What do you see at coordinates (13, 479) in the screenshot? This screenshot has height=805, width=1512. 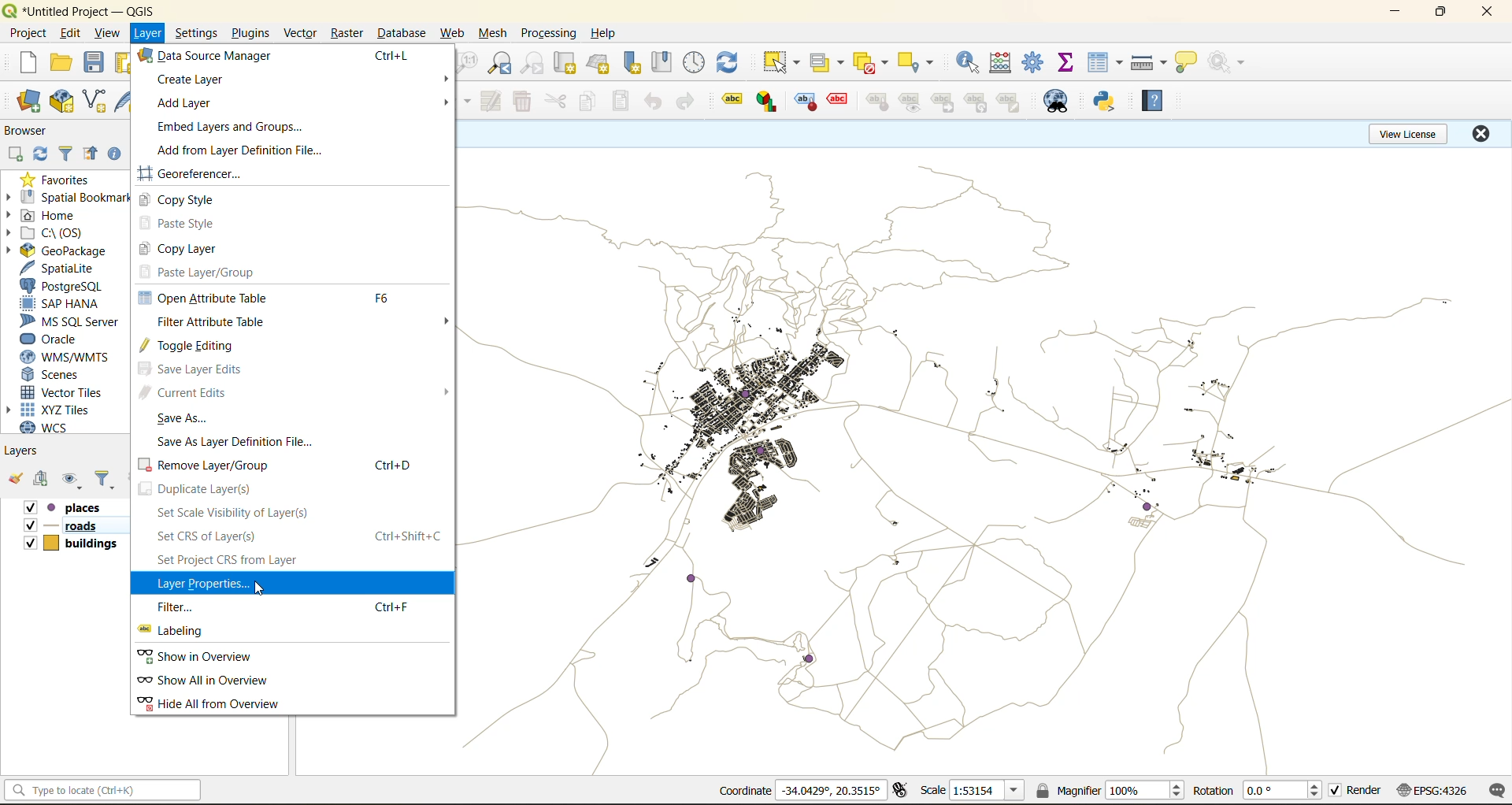 I see `open` at bounding box center [13, 479].